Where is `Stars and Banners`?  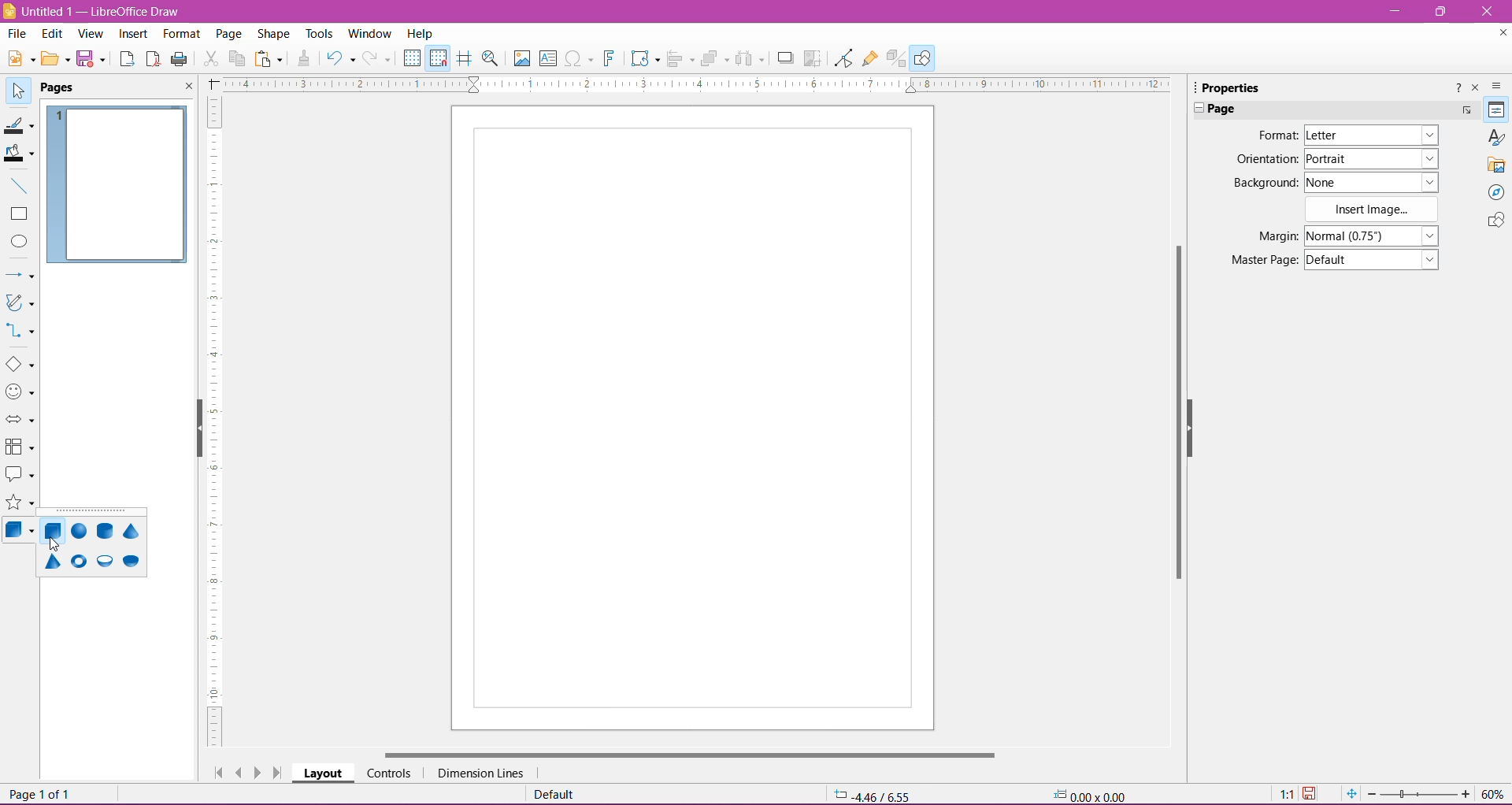
Stars and Banners is located at coordinates (20, 504).